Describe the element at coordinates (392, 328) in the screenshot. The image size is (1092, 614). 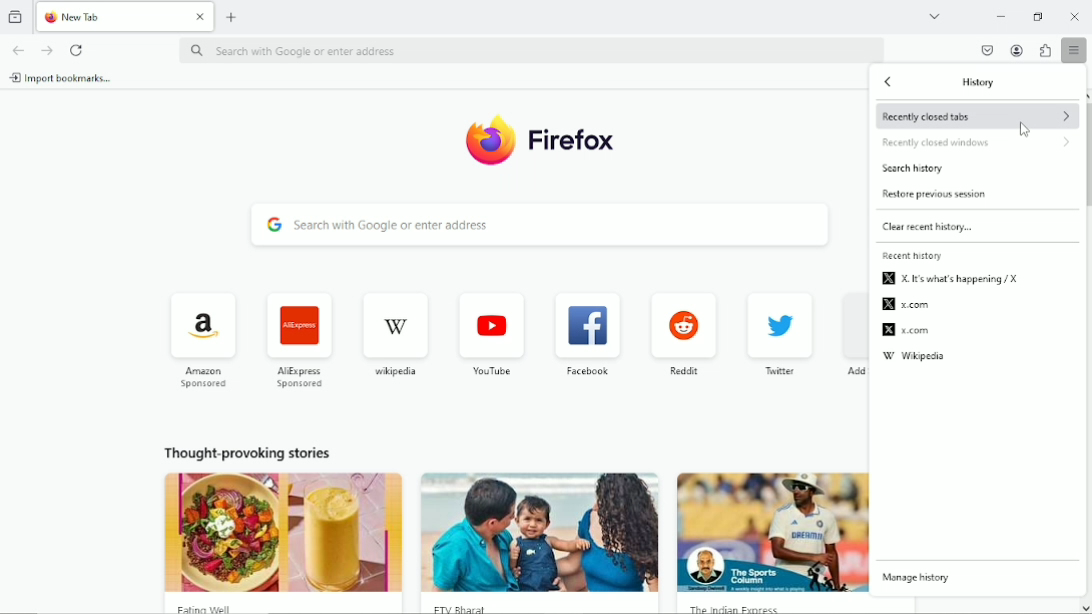
I see `icon` at that location.